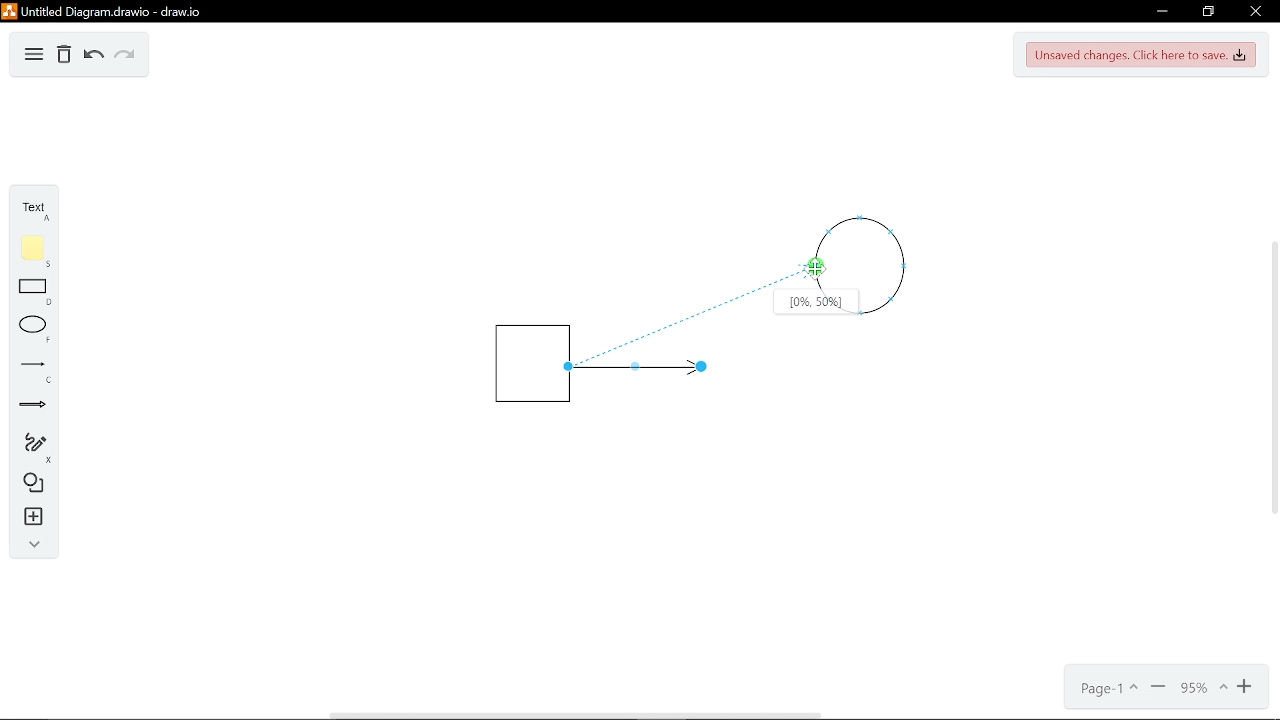 The height and width of the screenshot is (720, 1280). Describe the element at coordinates (1250, 689) in the screenshot. I see `Zoom in` at that location.